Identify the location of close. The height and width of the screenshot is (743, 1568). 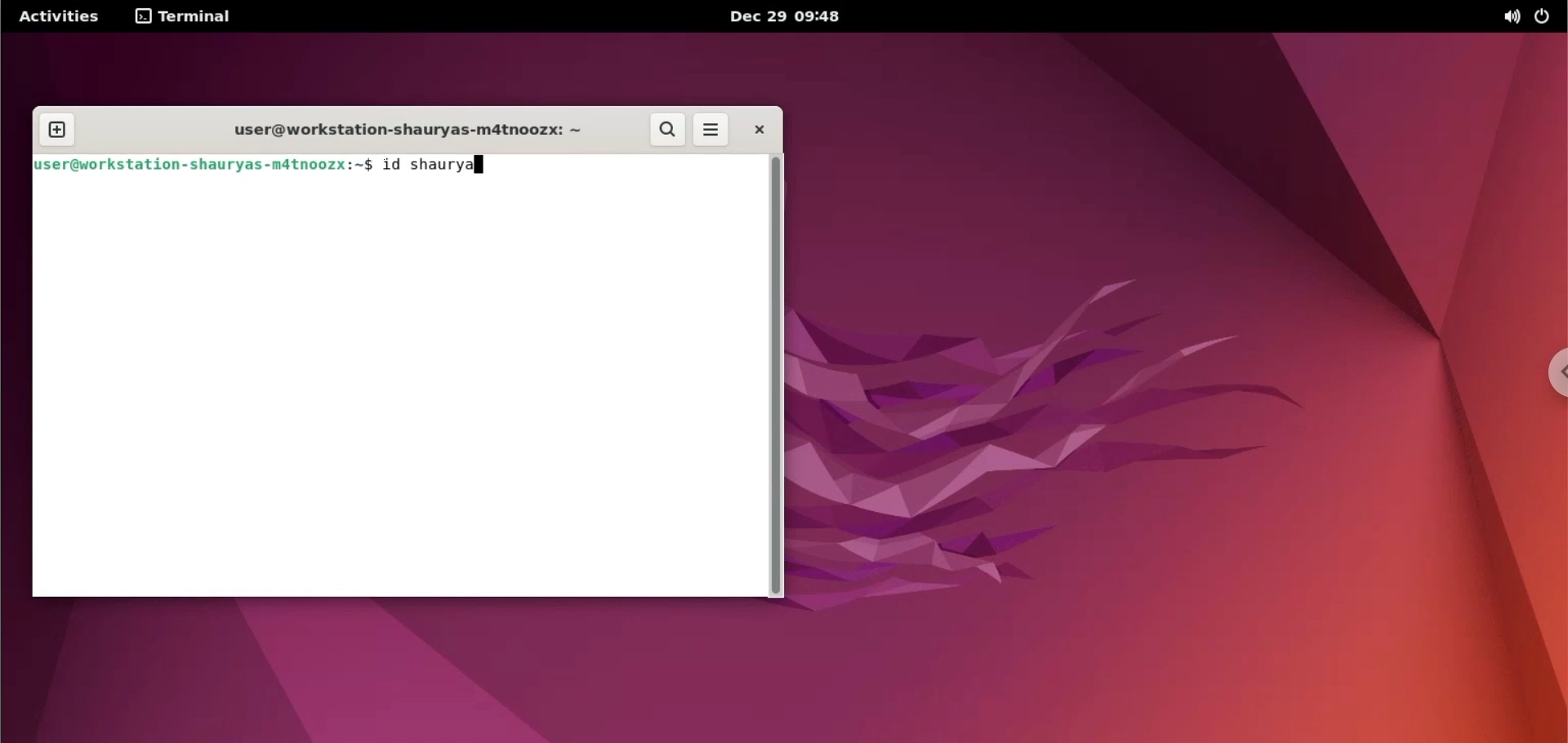
(758, 129).